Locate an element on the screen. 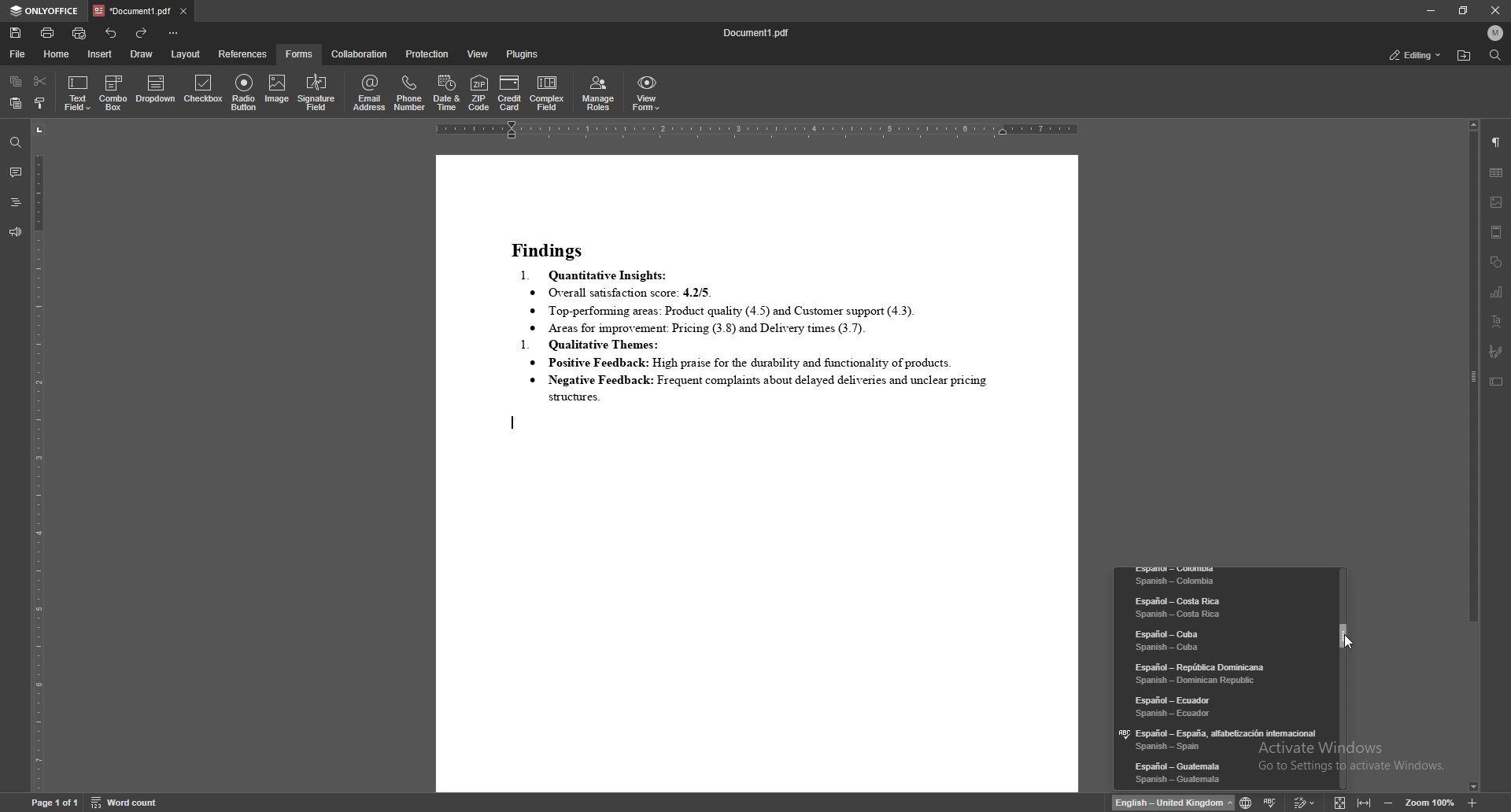  complex field is located at coordinates (549, 94).